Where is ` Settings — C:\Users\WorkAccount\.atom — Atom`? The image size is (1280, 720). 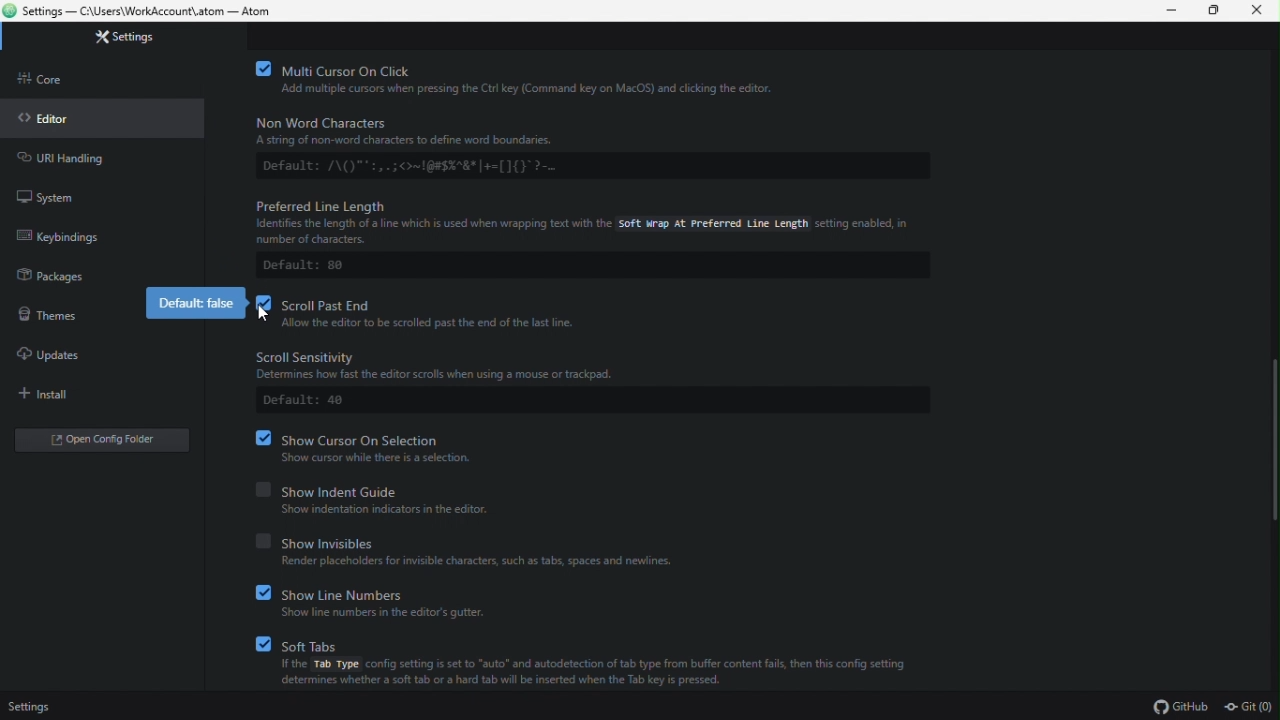  Settings — C:\Users\WorkAccount\.atom — Atom is located at coordinates (144, 10).